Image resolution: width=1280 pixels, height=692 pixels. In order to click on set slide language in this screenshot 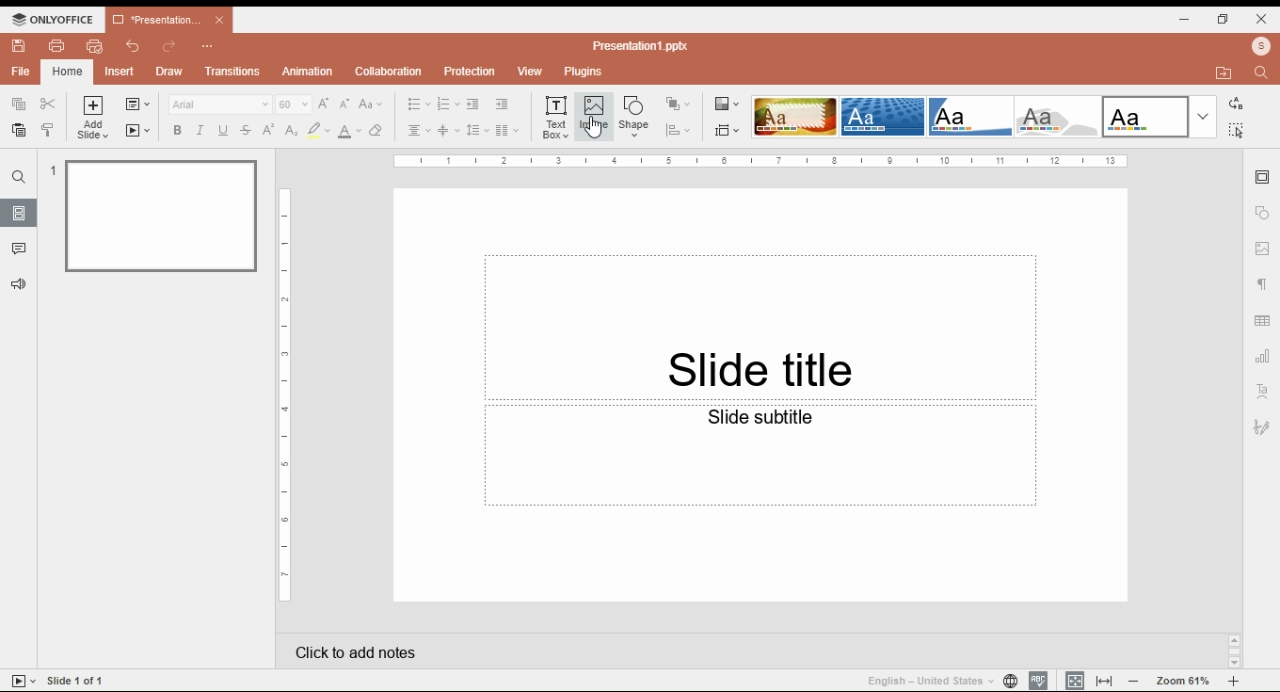, I will do `click(1010, 680)`.